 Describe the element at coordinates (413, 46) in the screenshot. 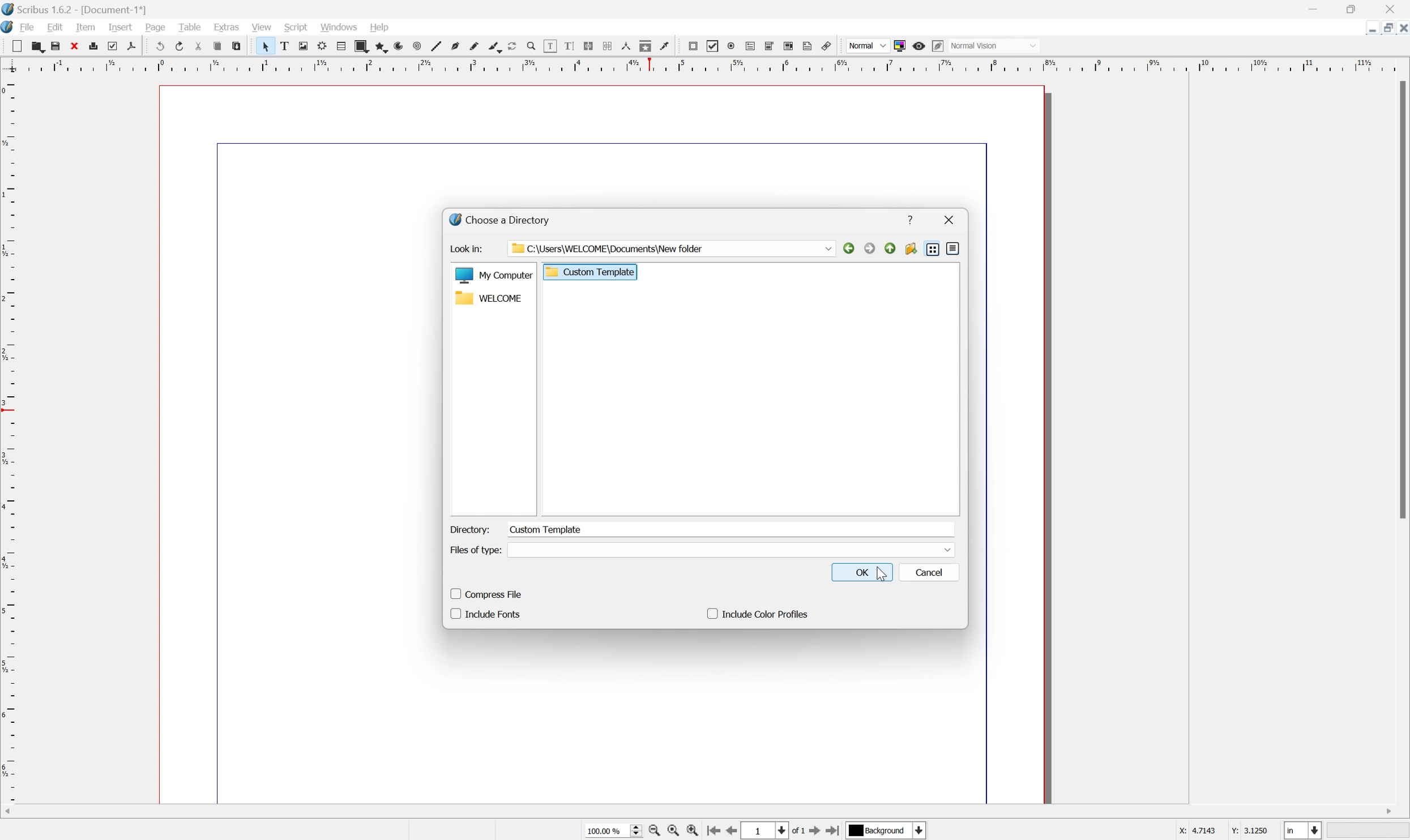

I see `spiral` at that location.